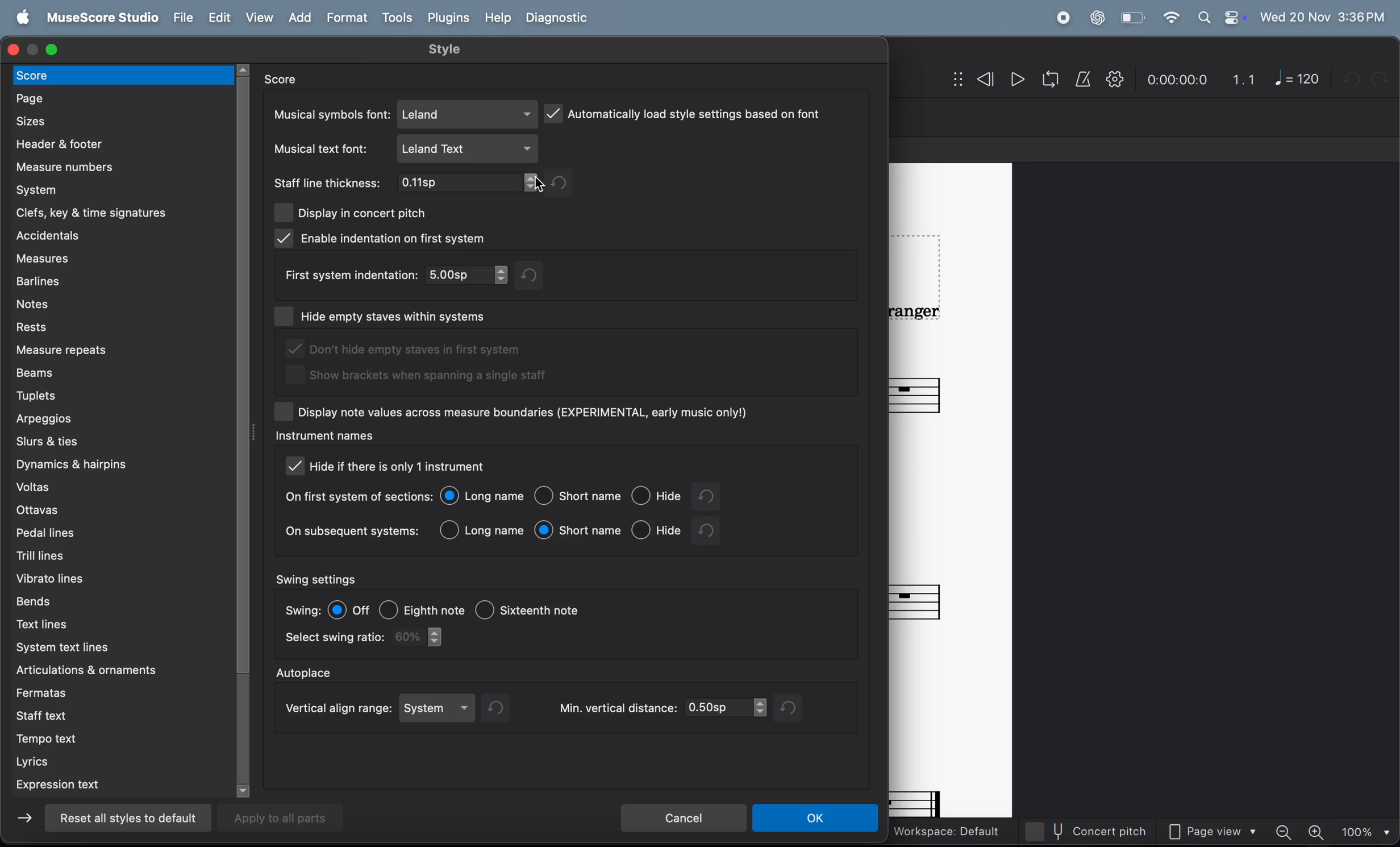 Image resolution: width=1400 pixels, height=847 pixels. I want to click on okay, so click(816, 819).